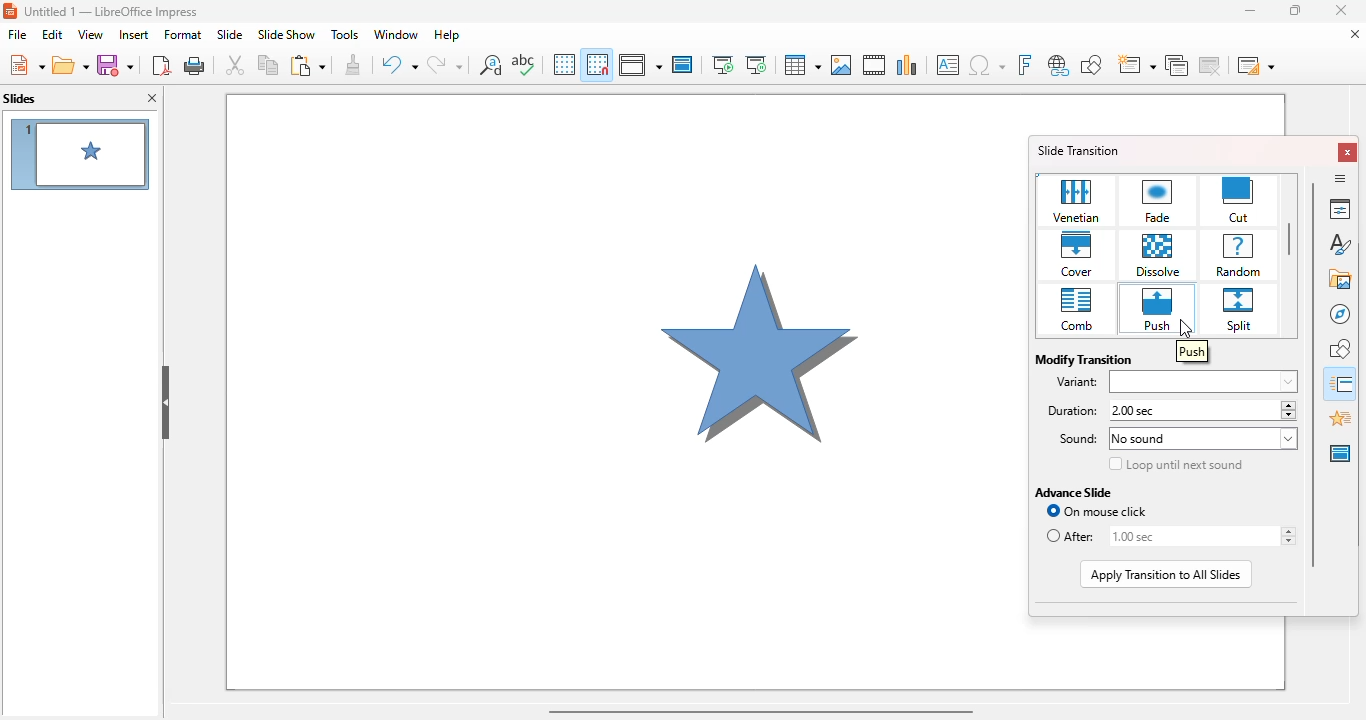 The image size is (1366, 720). I want to click on export directly as PDF, so click(161, 64).